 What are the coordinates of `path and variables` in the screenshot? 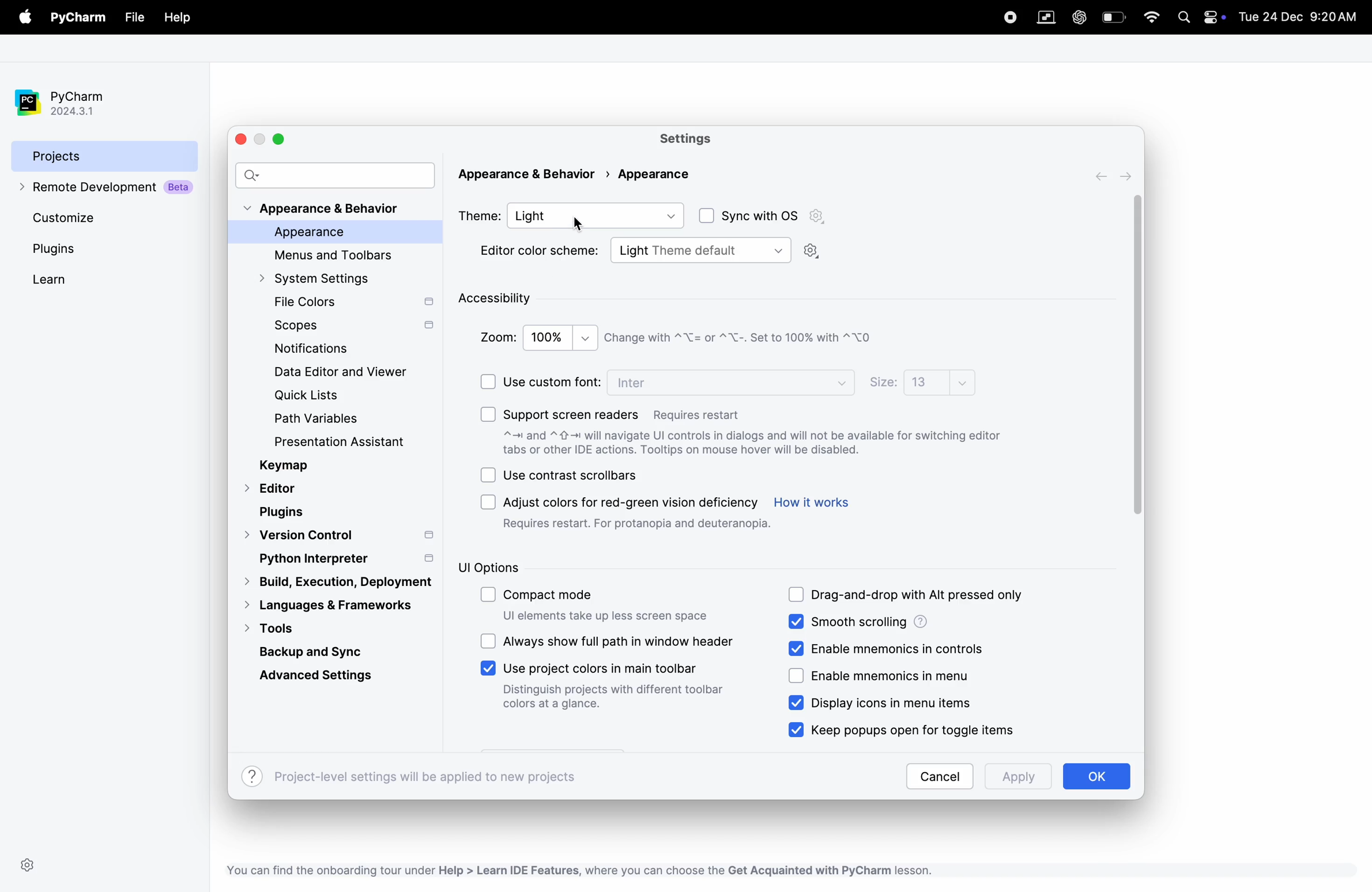 It's located at (318, 419).